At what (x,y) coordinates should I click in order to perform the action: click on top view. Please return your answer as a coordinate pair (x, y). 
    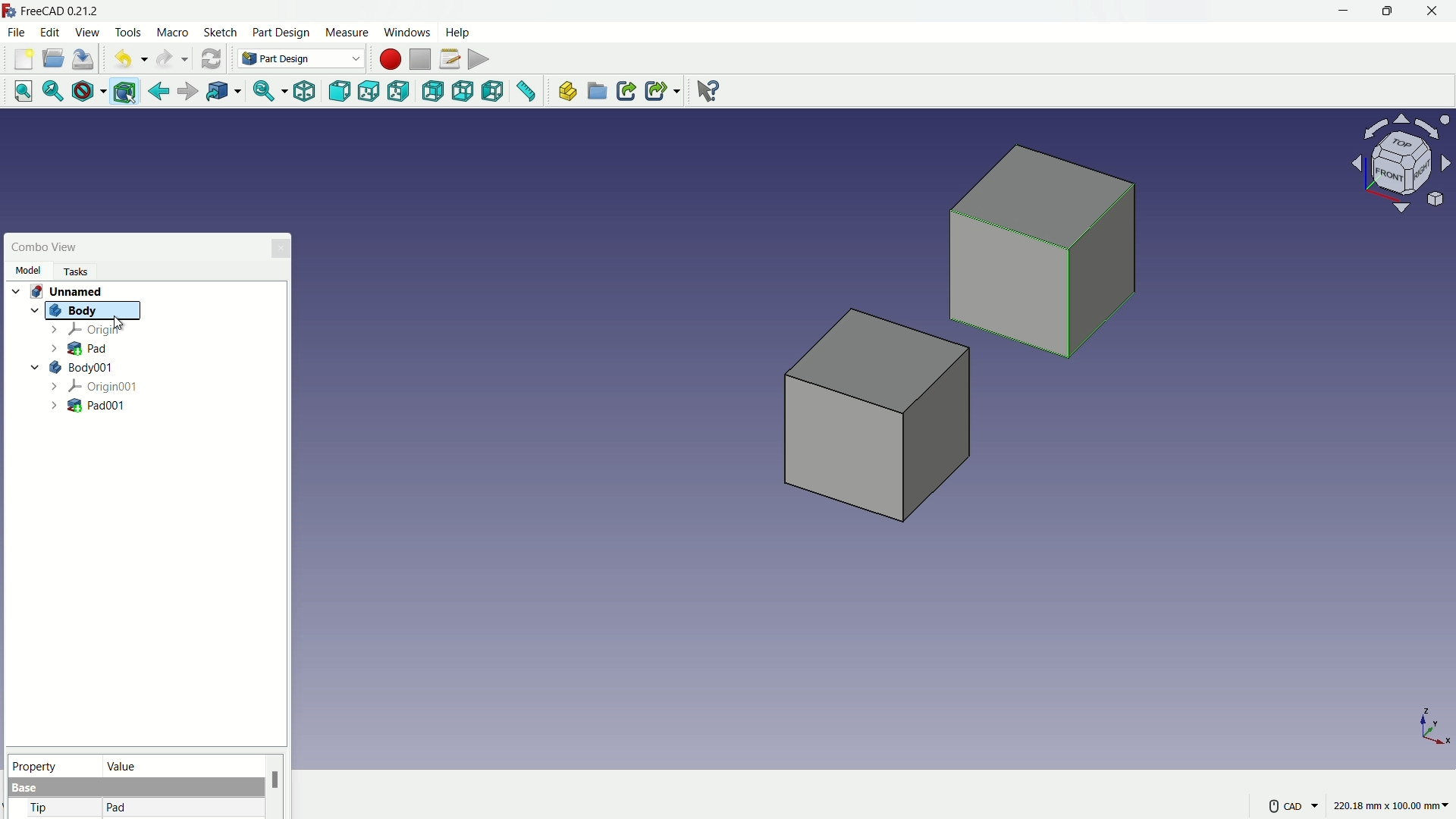
    Looking at the image, I should click on (372, 91).